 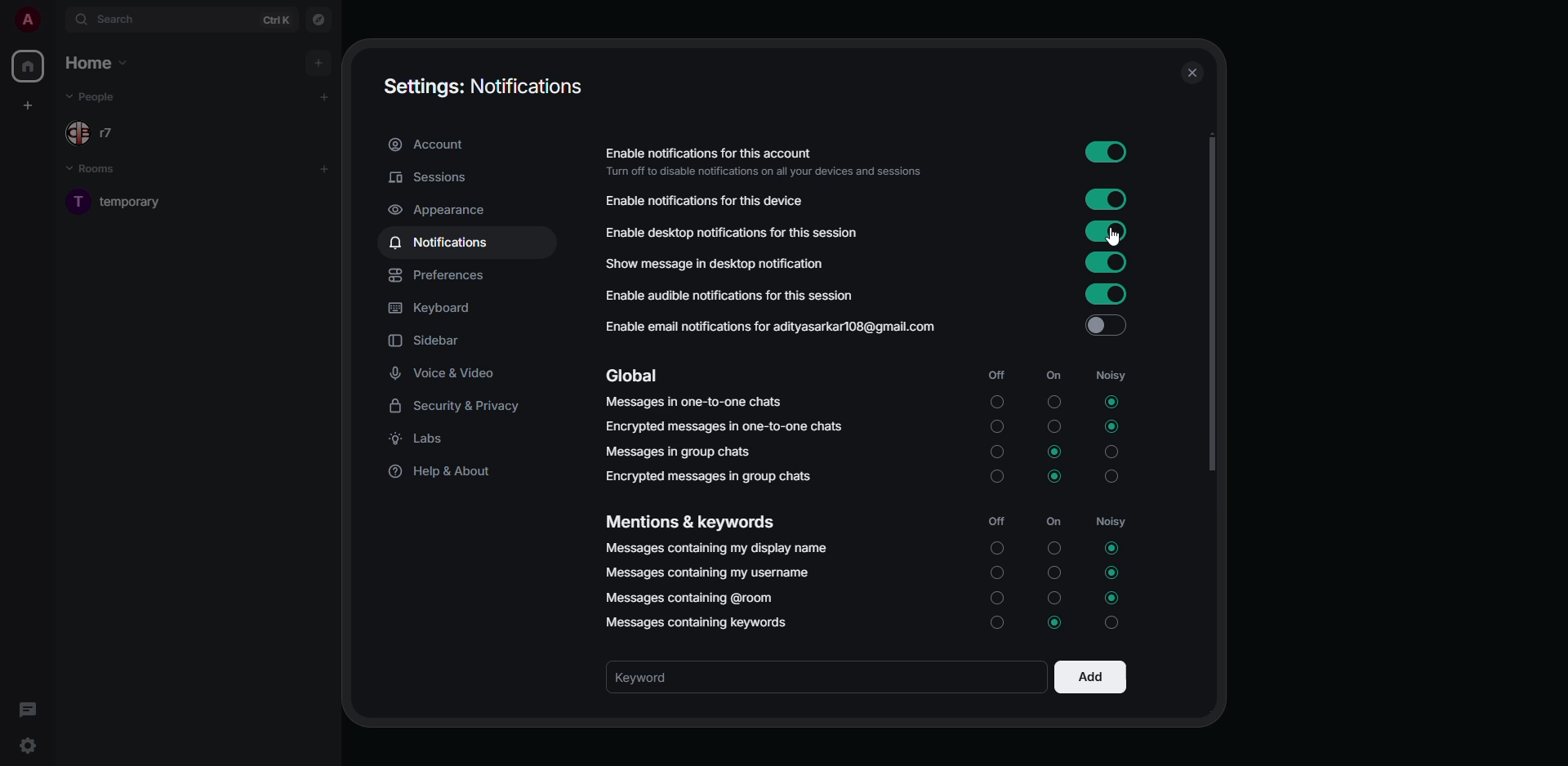 I want to click on rooms, so click(x=101, y=170).